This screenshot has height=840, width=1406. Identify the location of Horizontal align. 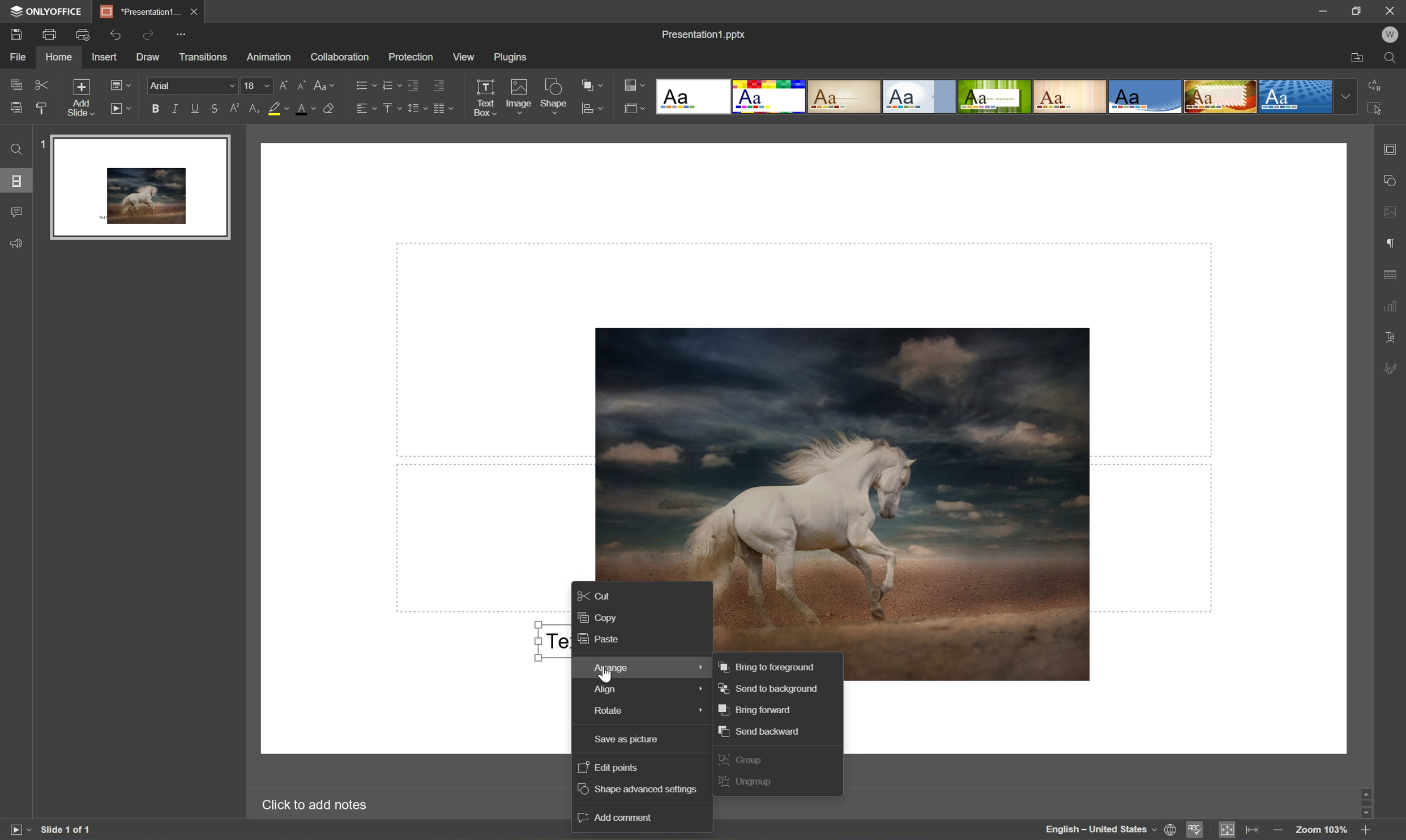
(366, 109).